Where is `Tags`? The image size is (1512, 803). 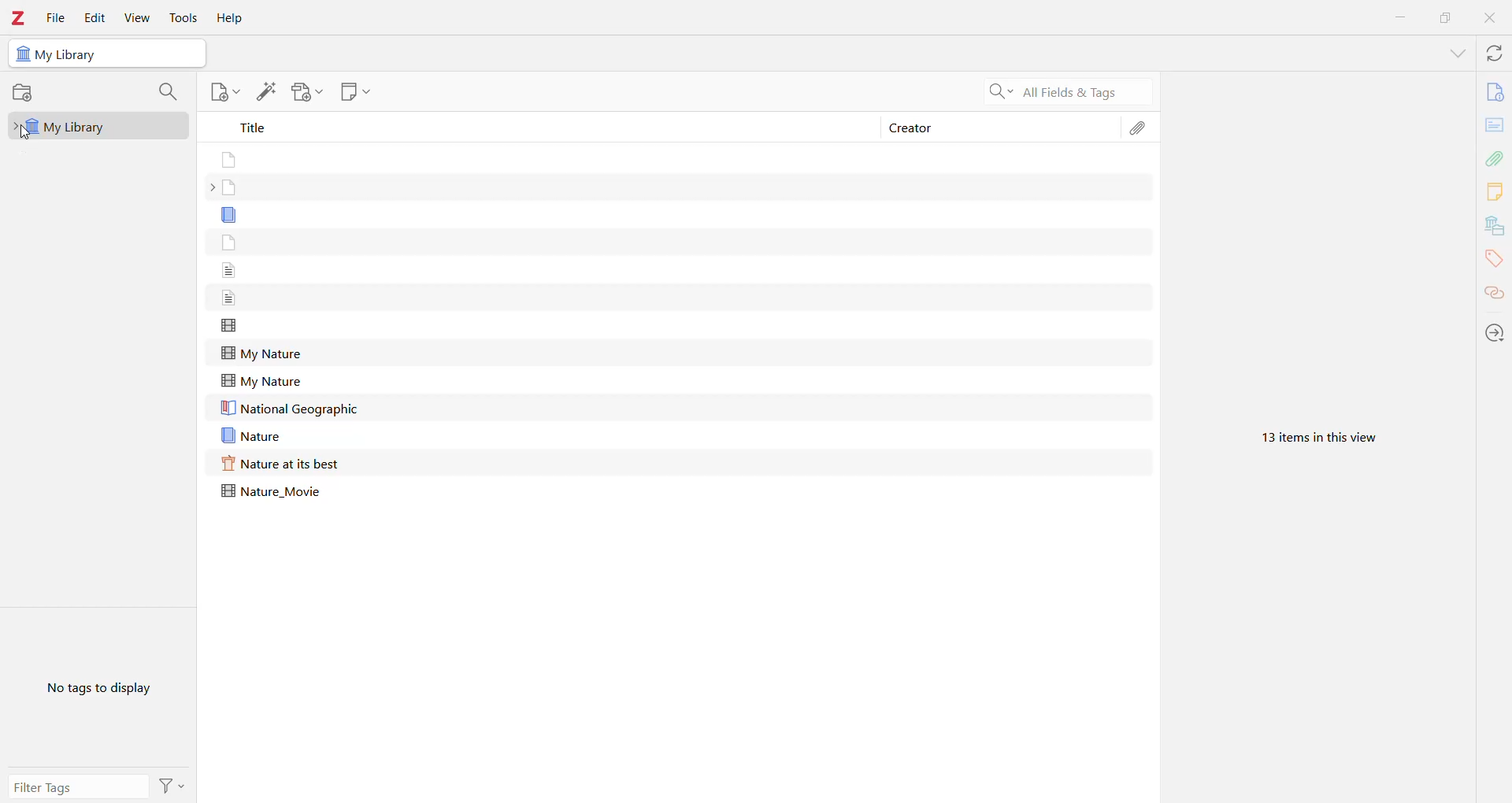
Tags is located at coordinates (1493, 261).